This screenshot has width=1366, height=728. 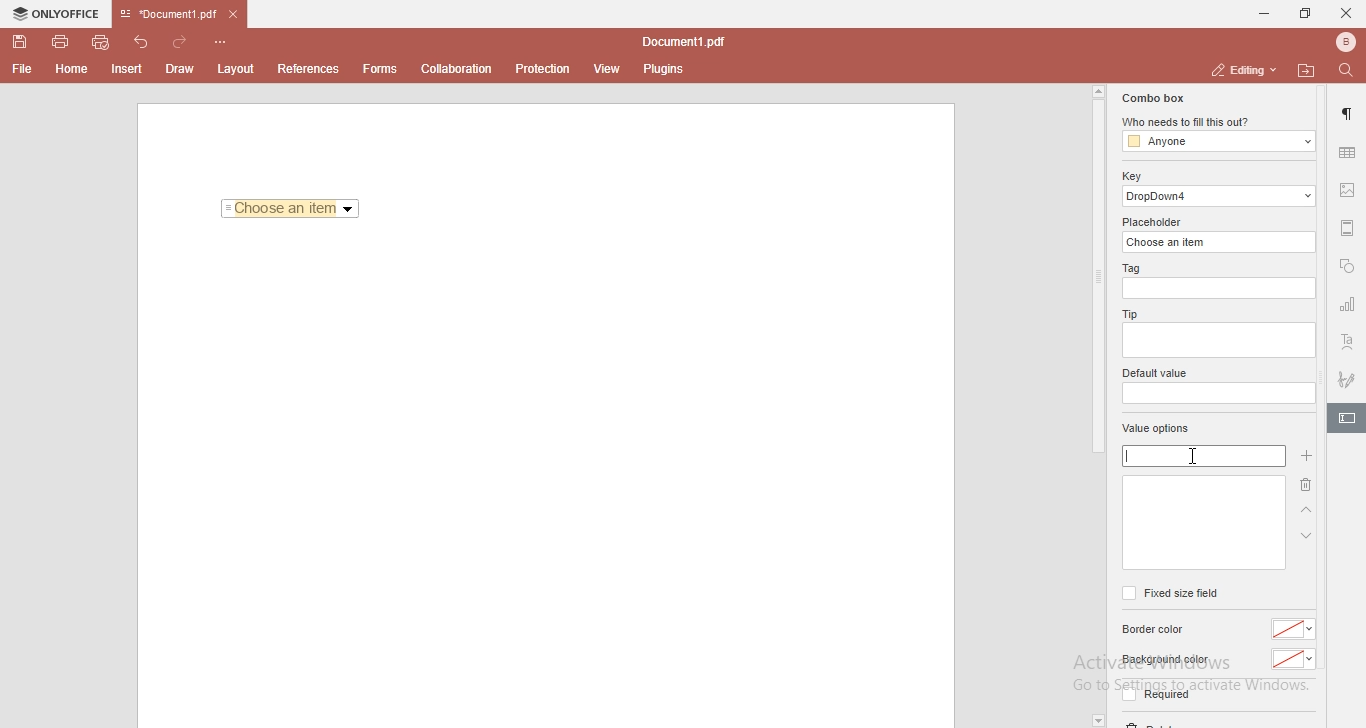 I want to click on color dropdown, so click(x=1296, y=629).